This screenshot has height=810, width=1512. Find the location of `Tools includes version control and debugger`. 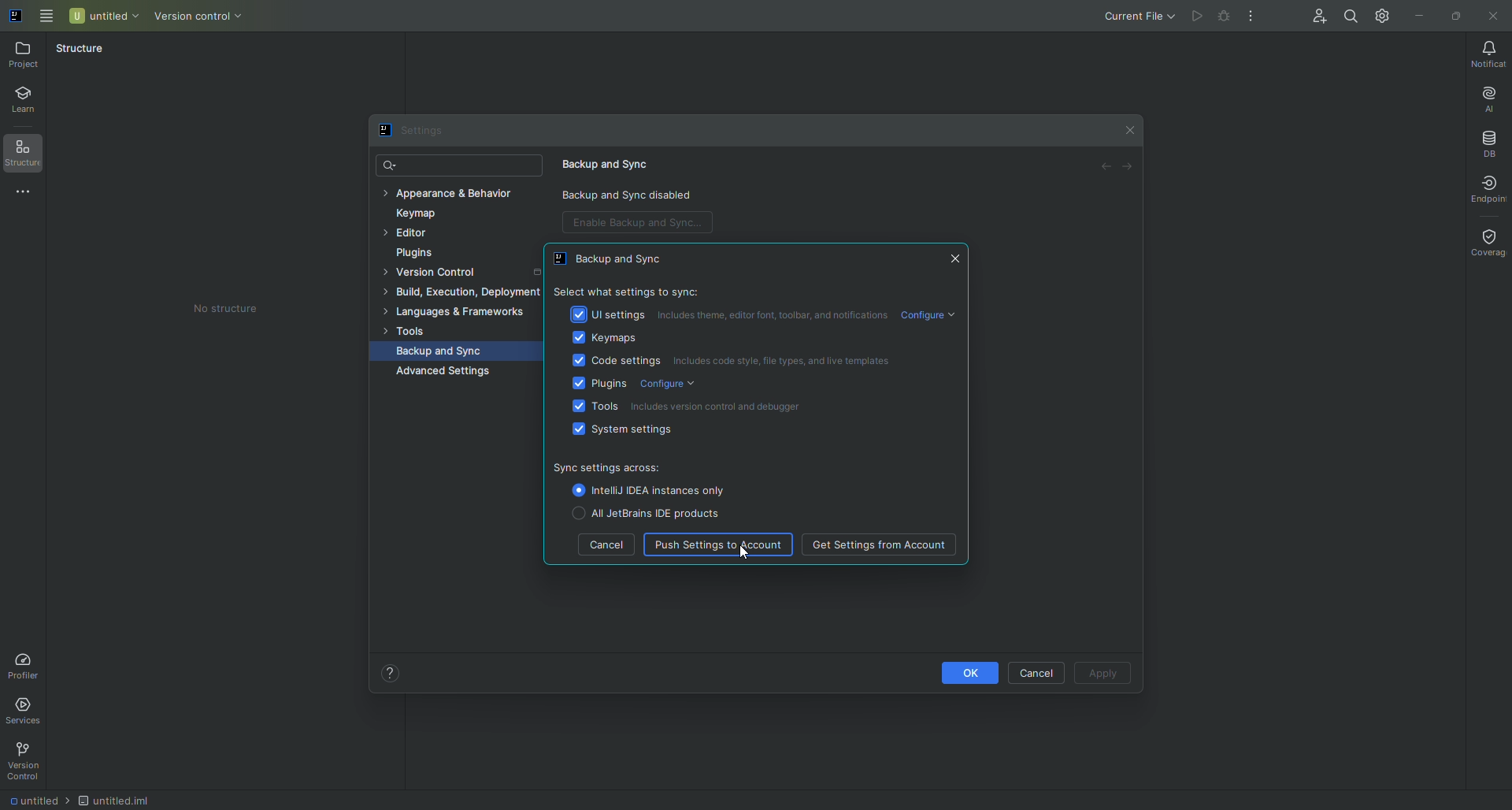

Tools includes version control and debugger is located at coordinates (689, 405).